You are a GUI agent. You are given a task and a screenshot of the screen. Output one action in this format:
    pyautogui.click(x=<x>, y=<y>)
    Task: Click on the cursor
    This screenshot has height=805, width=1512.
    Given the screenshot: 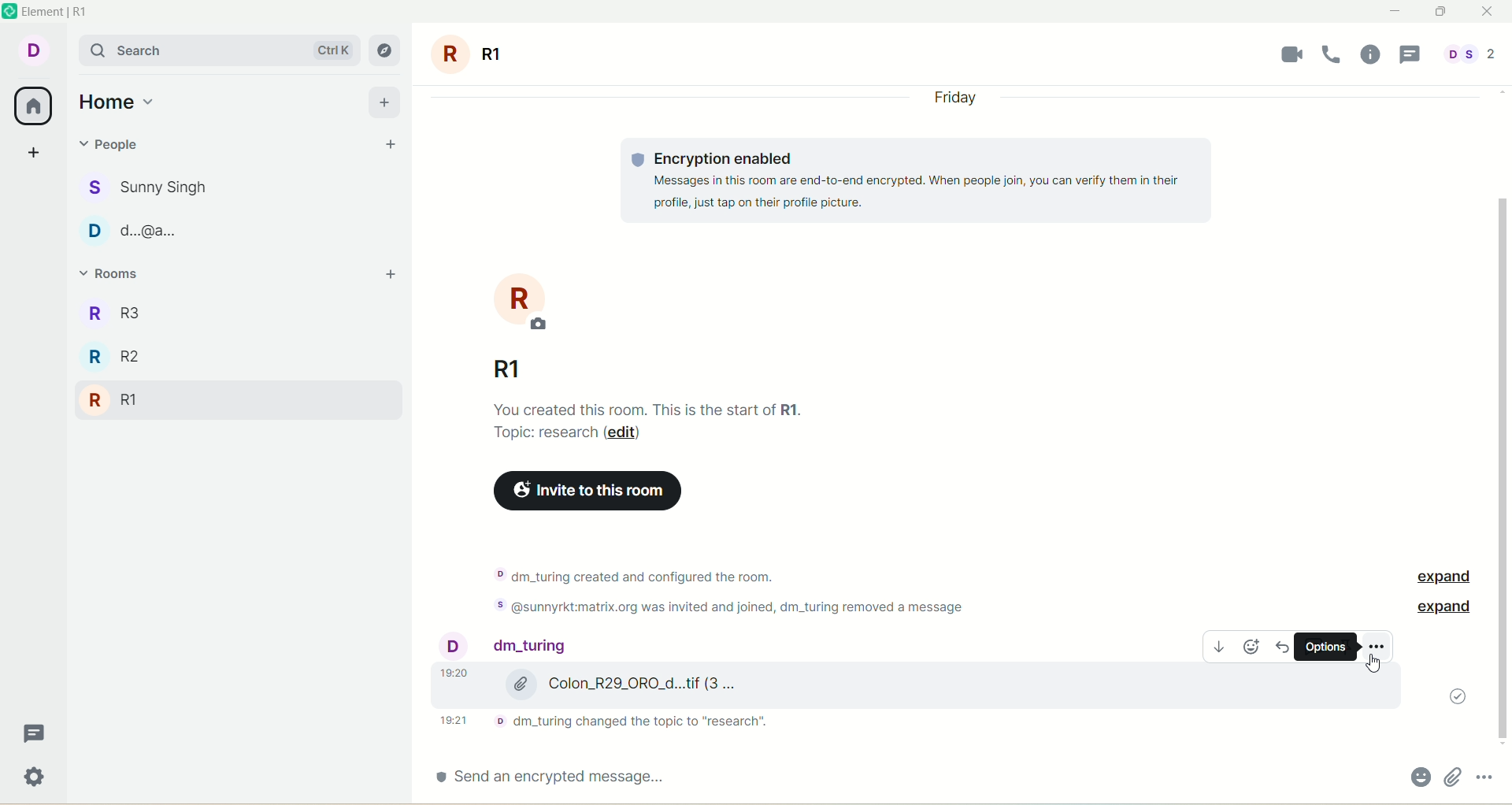 What is the action you would take?
    pyautogui.click(x=1378, y=664)
    